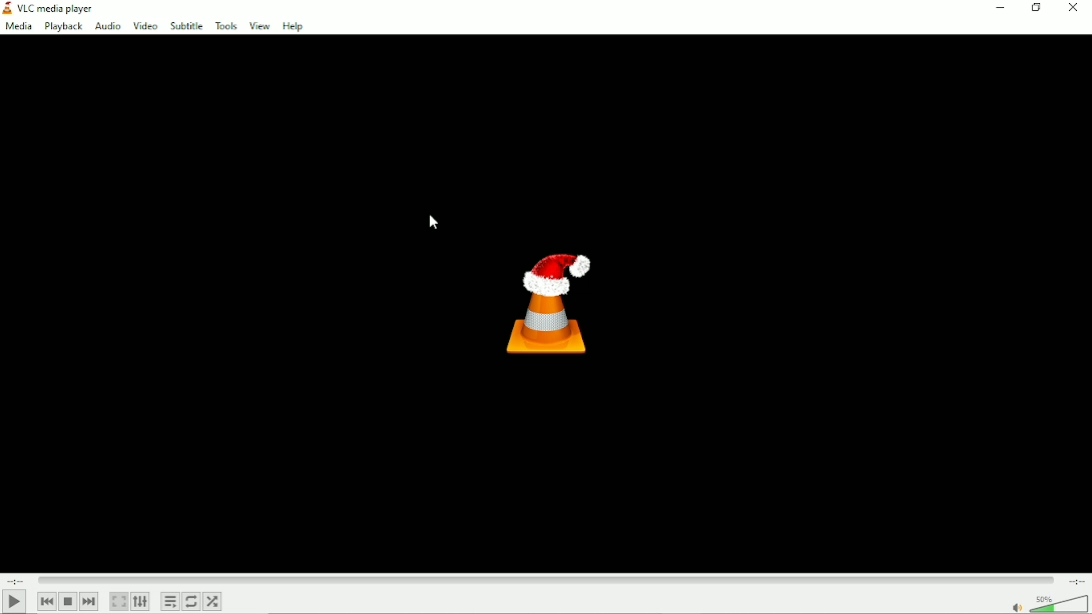 The height and width of the screenshot is (614, 1092). What do you see at coordinates (63, 27) in the screenshot?
I see `Playback` at bounding box center [63, 27].